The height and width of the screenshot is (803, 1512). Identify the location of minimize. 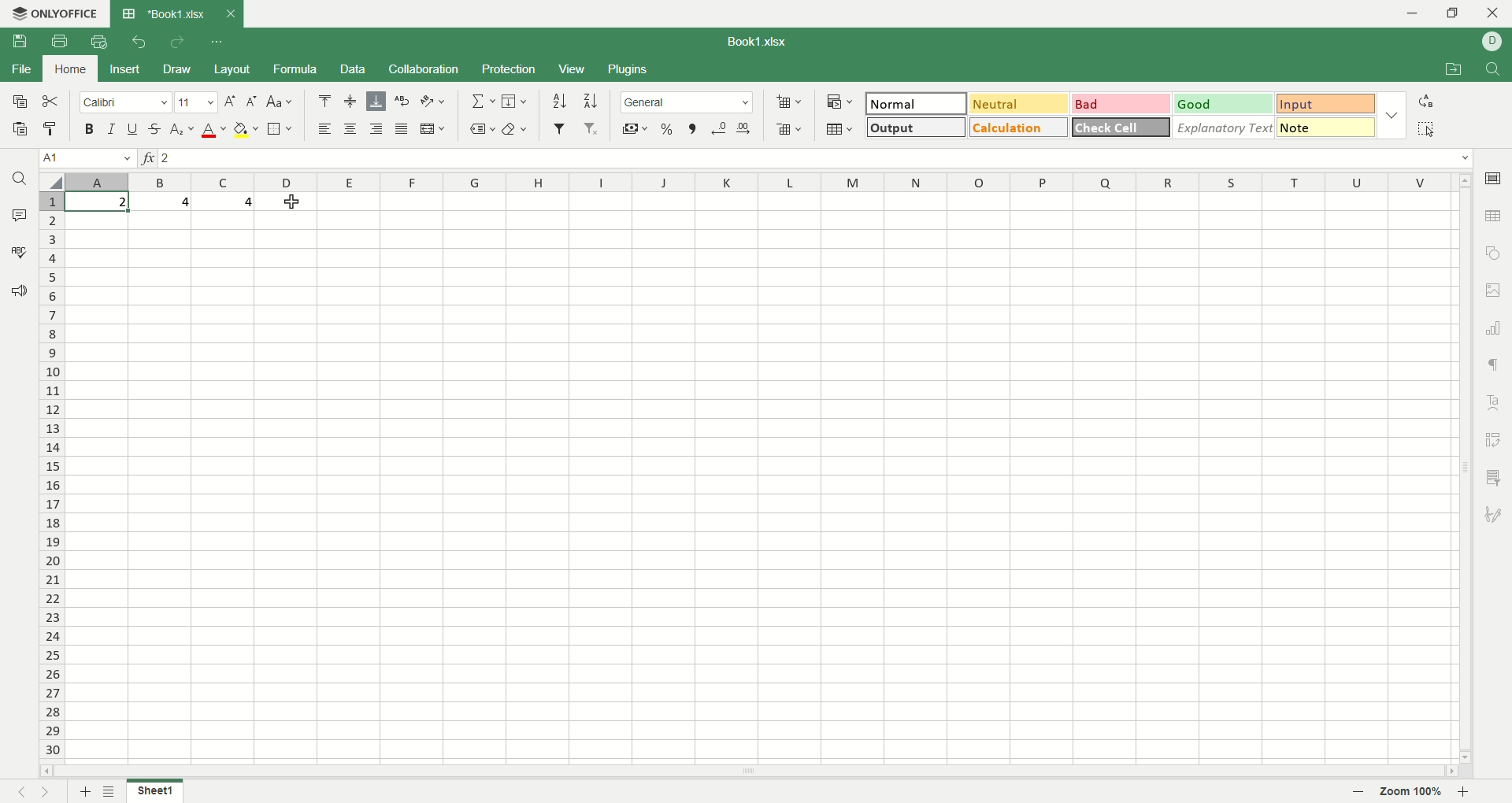
(1411, 13).